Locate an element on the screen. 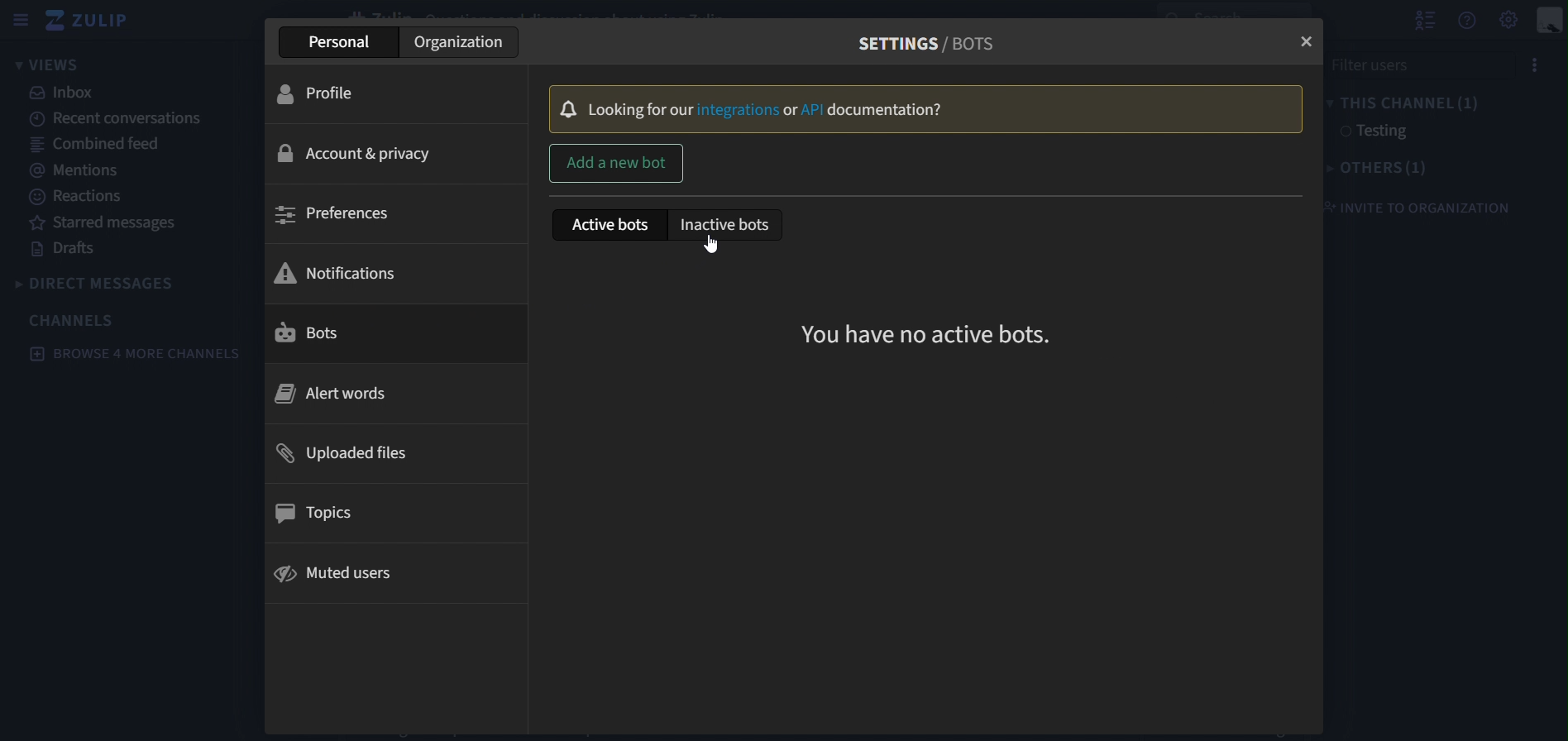  inactive bots is located at coordinates (726, 225).